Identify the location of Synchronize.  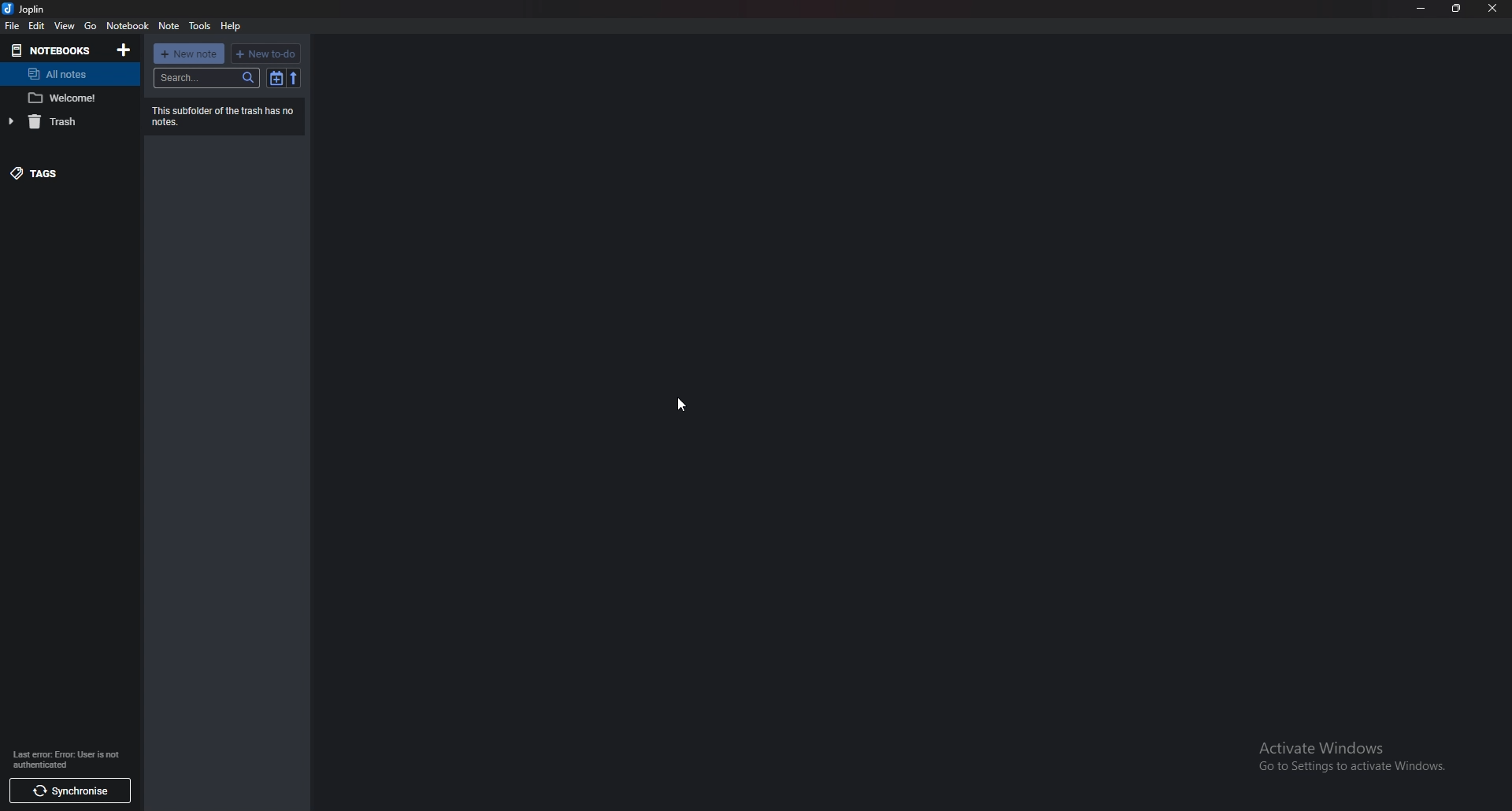
(71, 792).